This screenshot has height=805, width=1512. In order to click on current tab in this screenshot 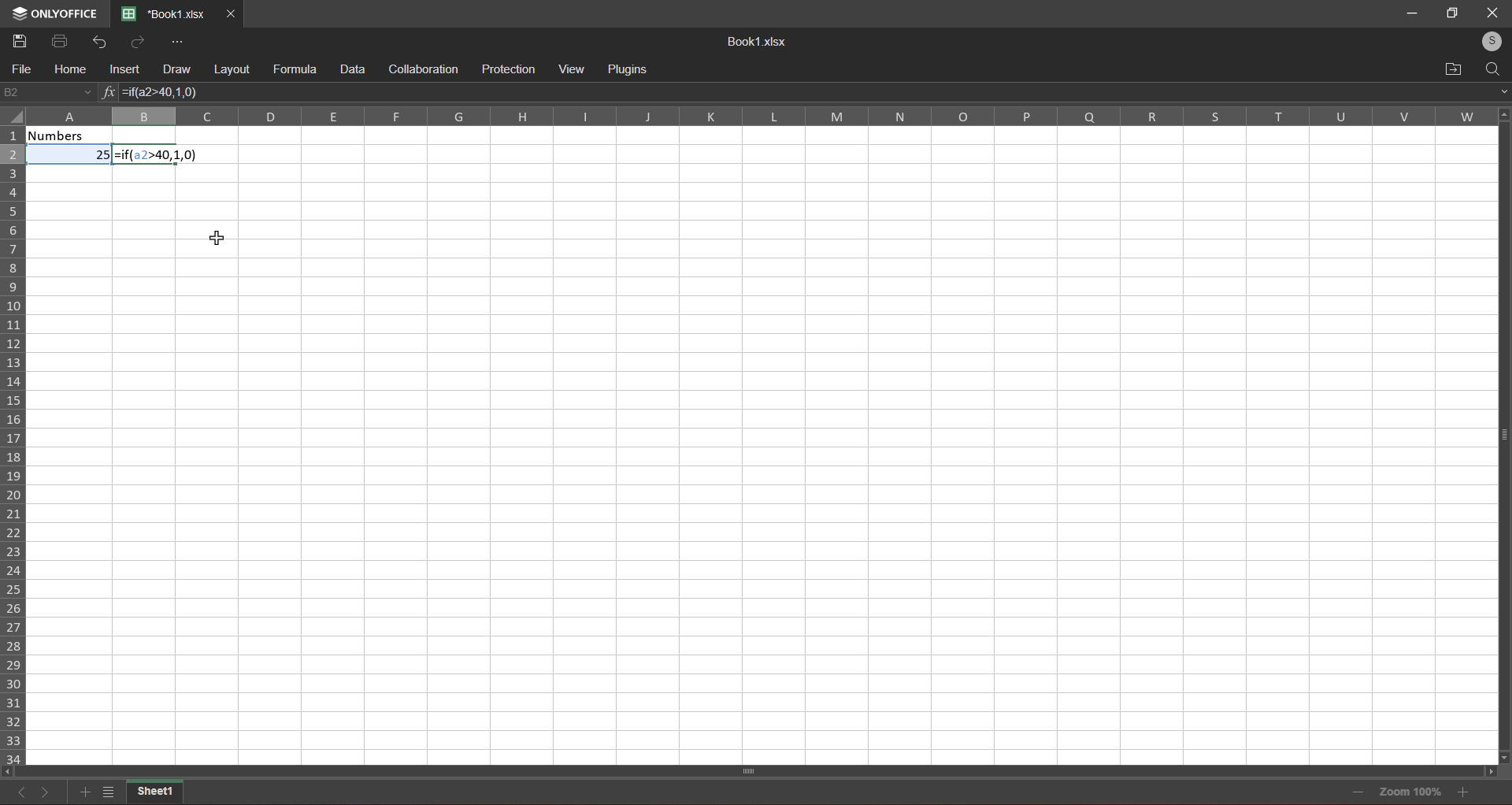, I will do `click(164, 14)`.